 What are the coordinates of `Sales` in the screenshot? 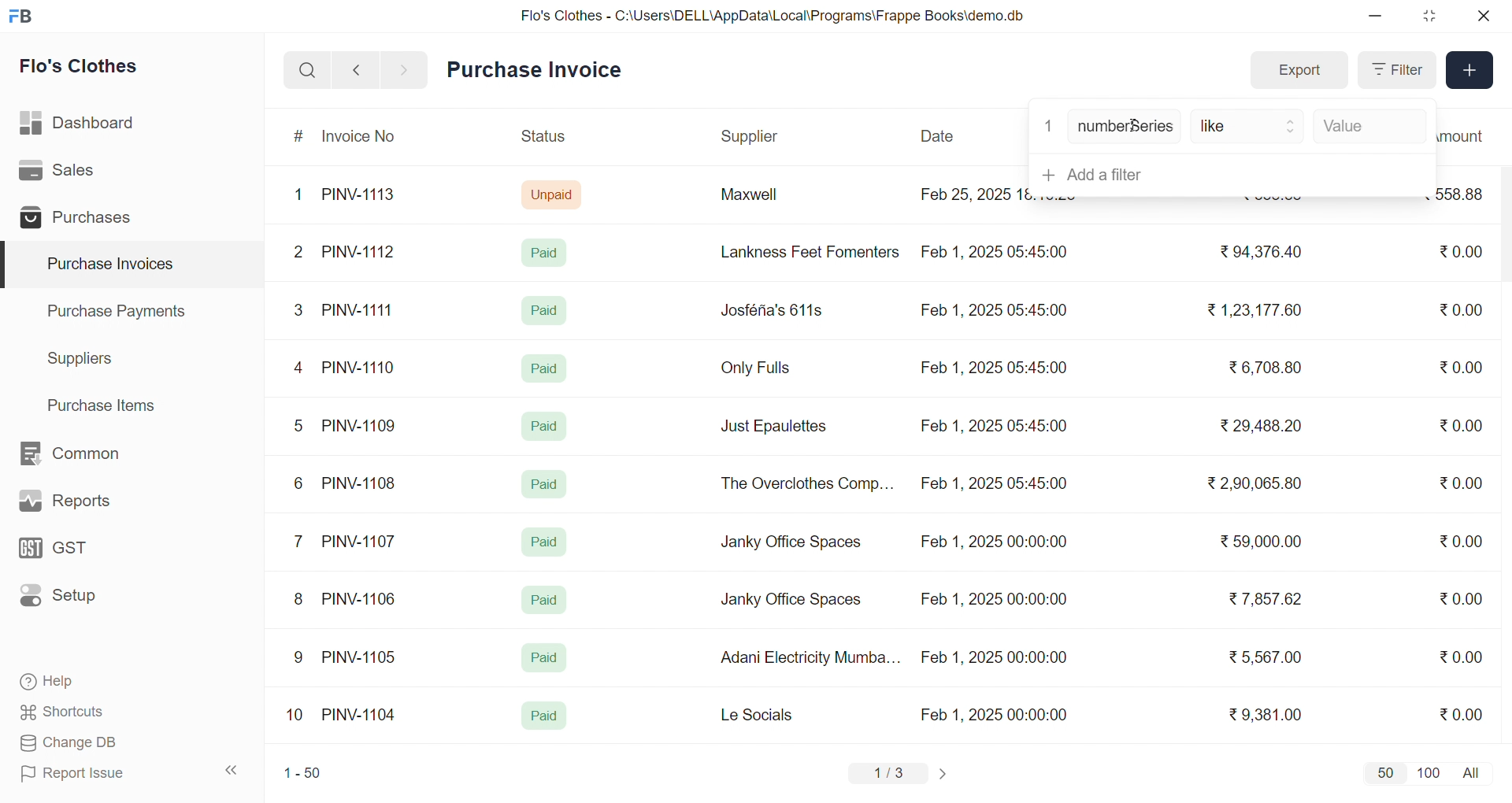 It's located at (81, 173).